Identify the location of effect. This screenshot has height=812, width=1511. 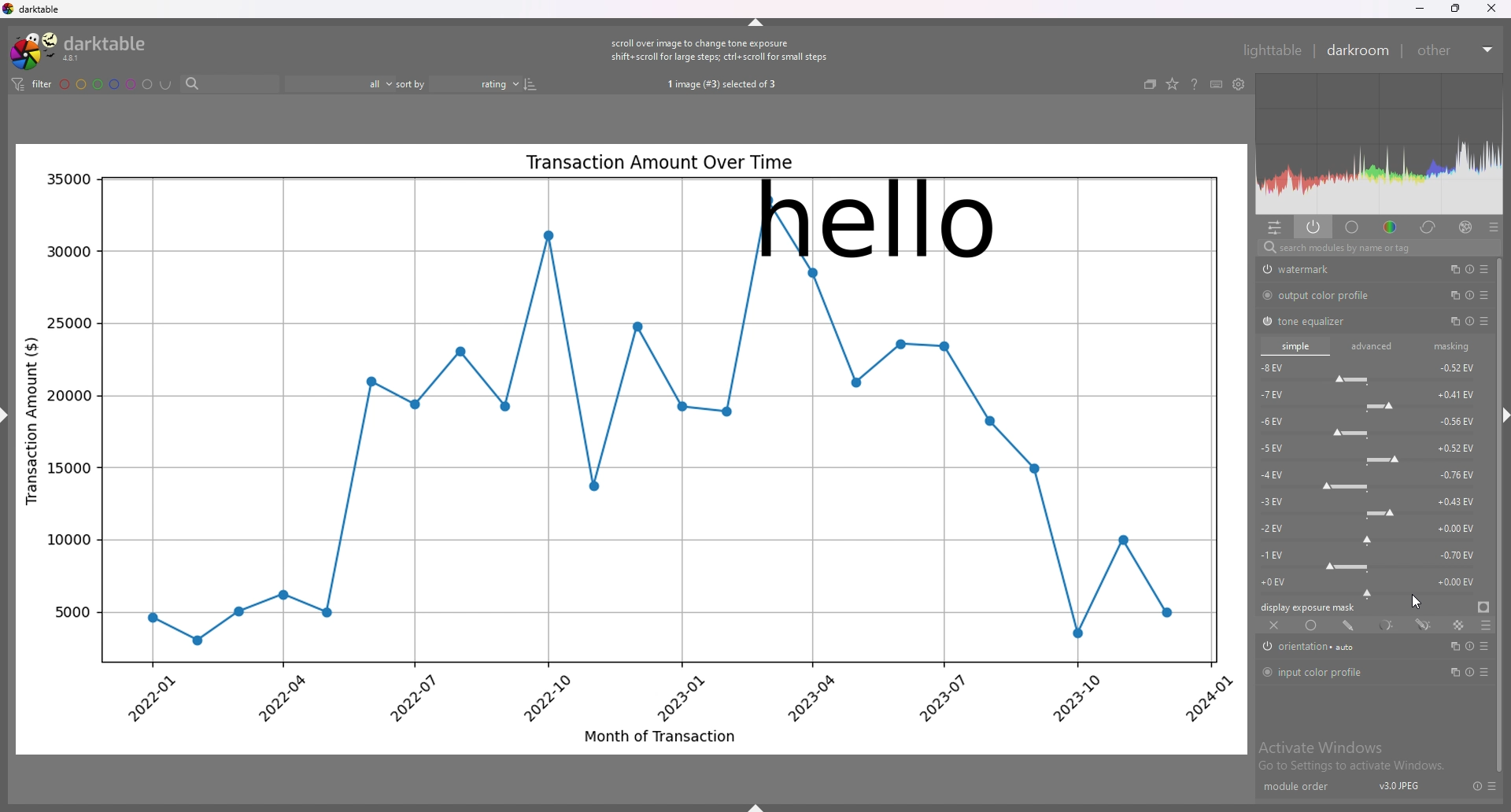
(1465, 227).